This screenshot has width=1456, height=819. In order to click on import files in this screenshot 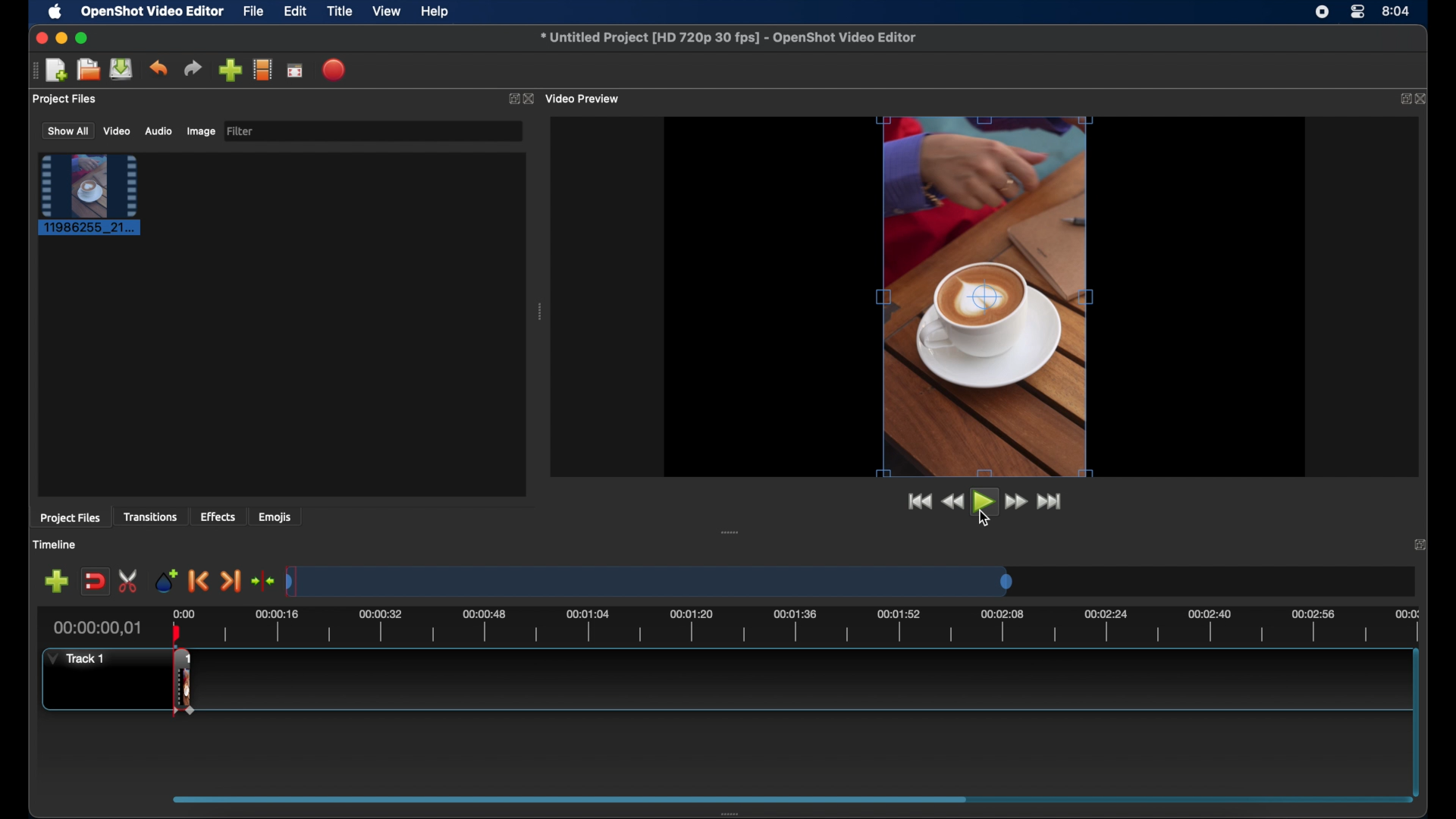, I will do `click(229, 71)`.